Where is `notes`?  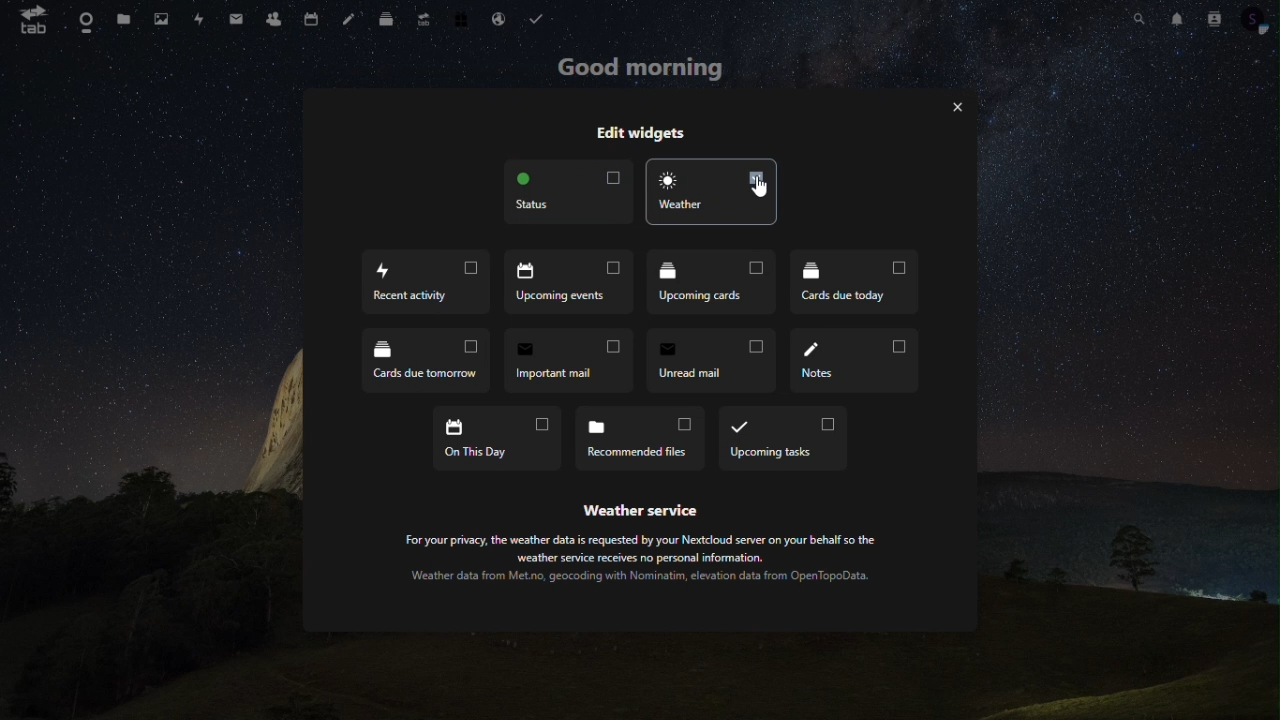
notes is located at coordinates (861, 360).